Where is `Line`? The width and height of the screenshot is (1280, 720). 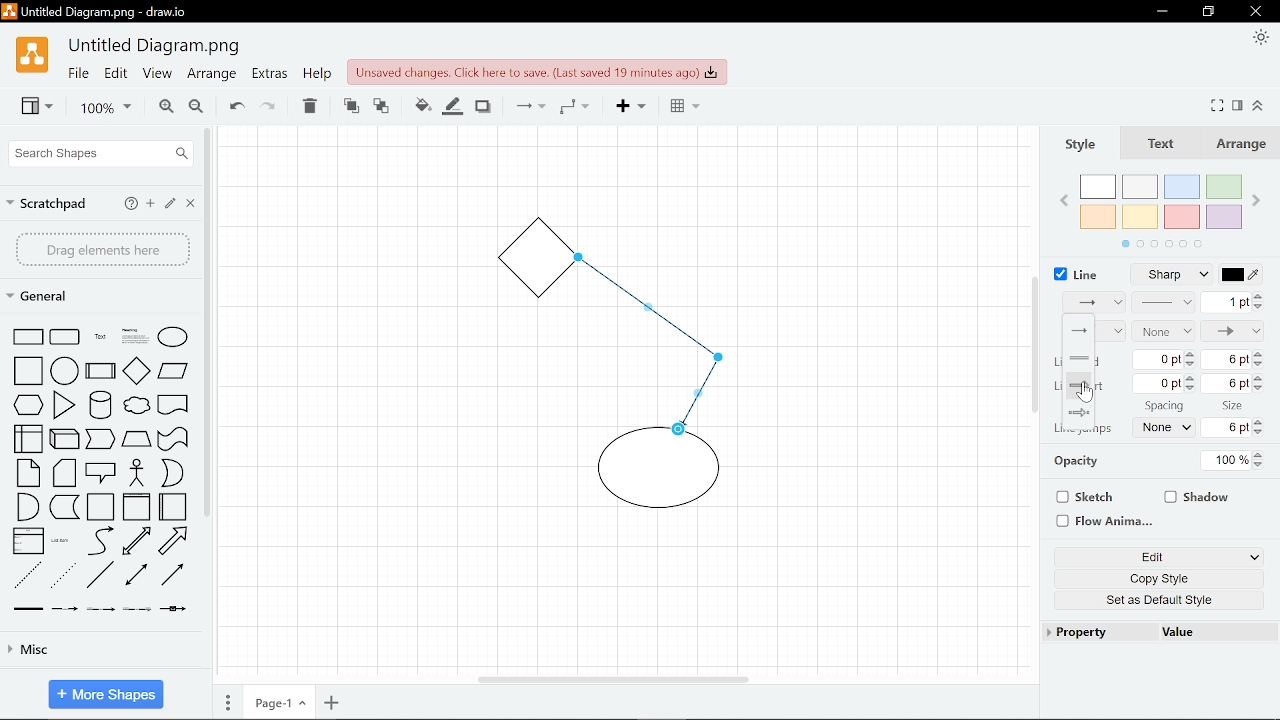 Line is located at coordinates (1076, 272).